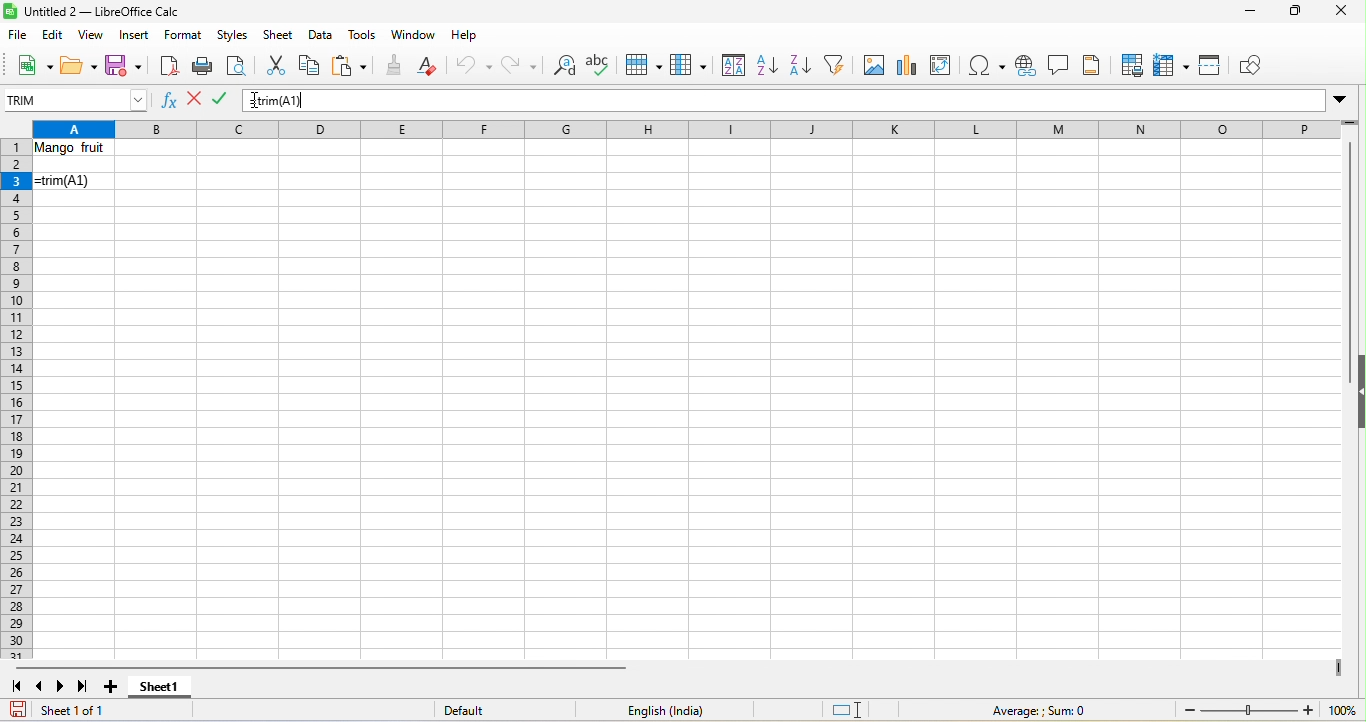  Describe the element at coordinates (18, 688) in the screenshot. I see `scroll to first sheet` at that location.